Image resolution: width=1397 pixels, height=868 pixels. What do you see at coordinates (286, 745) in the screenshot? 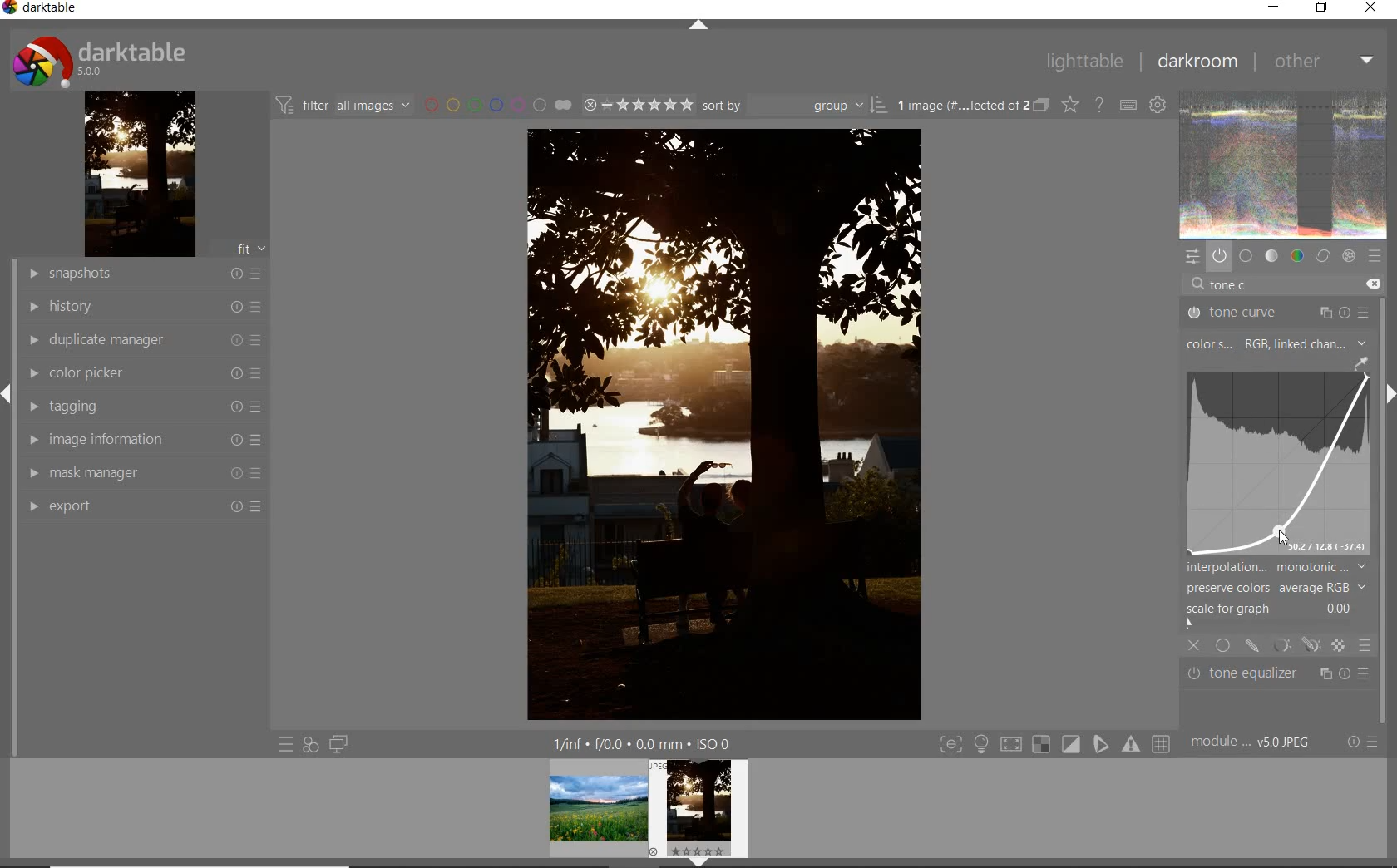
I see `quick access to presets` at bounding box center [286, 745].